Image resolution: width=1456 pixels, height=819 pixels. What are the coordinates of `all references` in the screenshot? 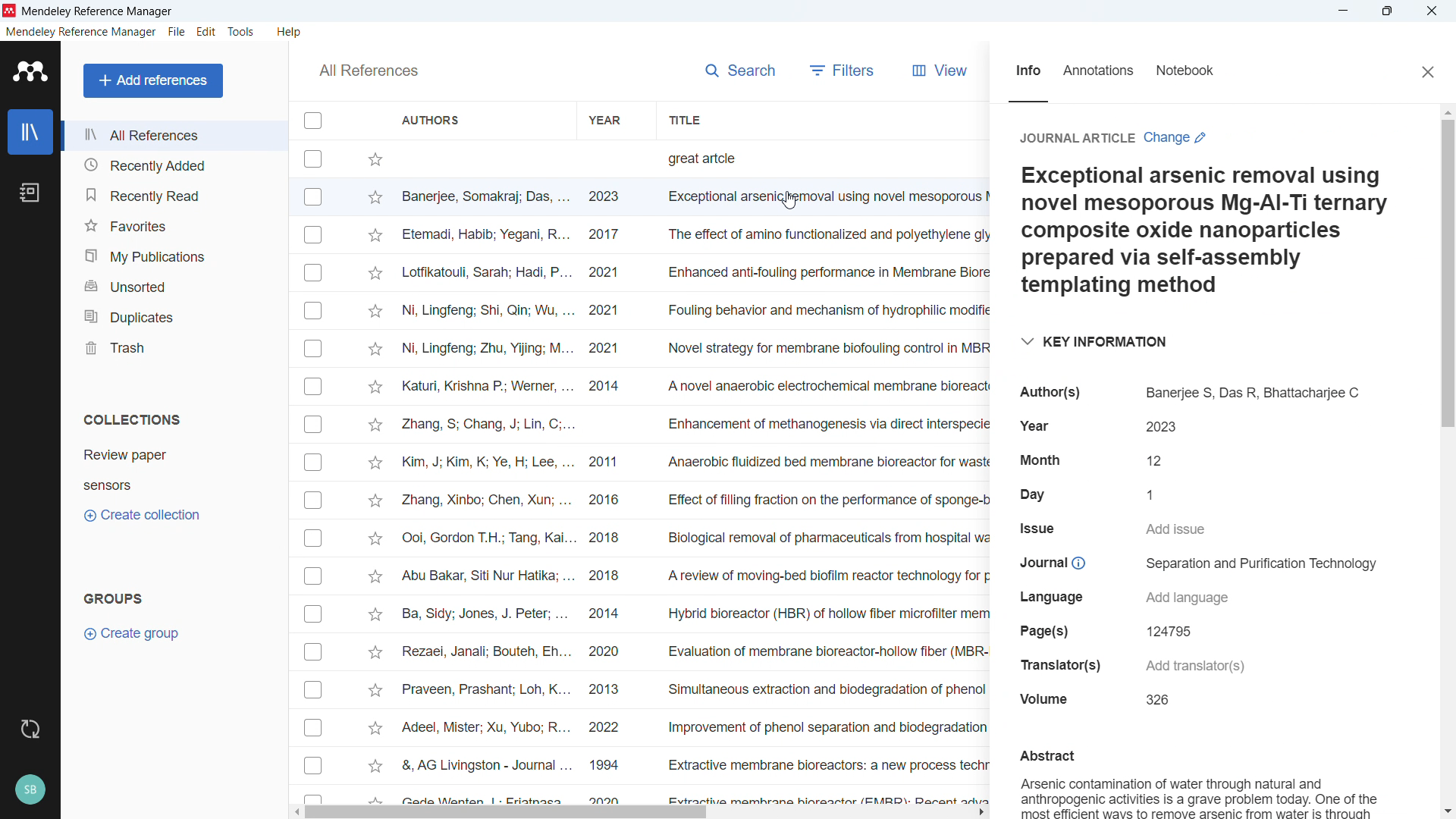 It's located at (174, 136).